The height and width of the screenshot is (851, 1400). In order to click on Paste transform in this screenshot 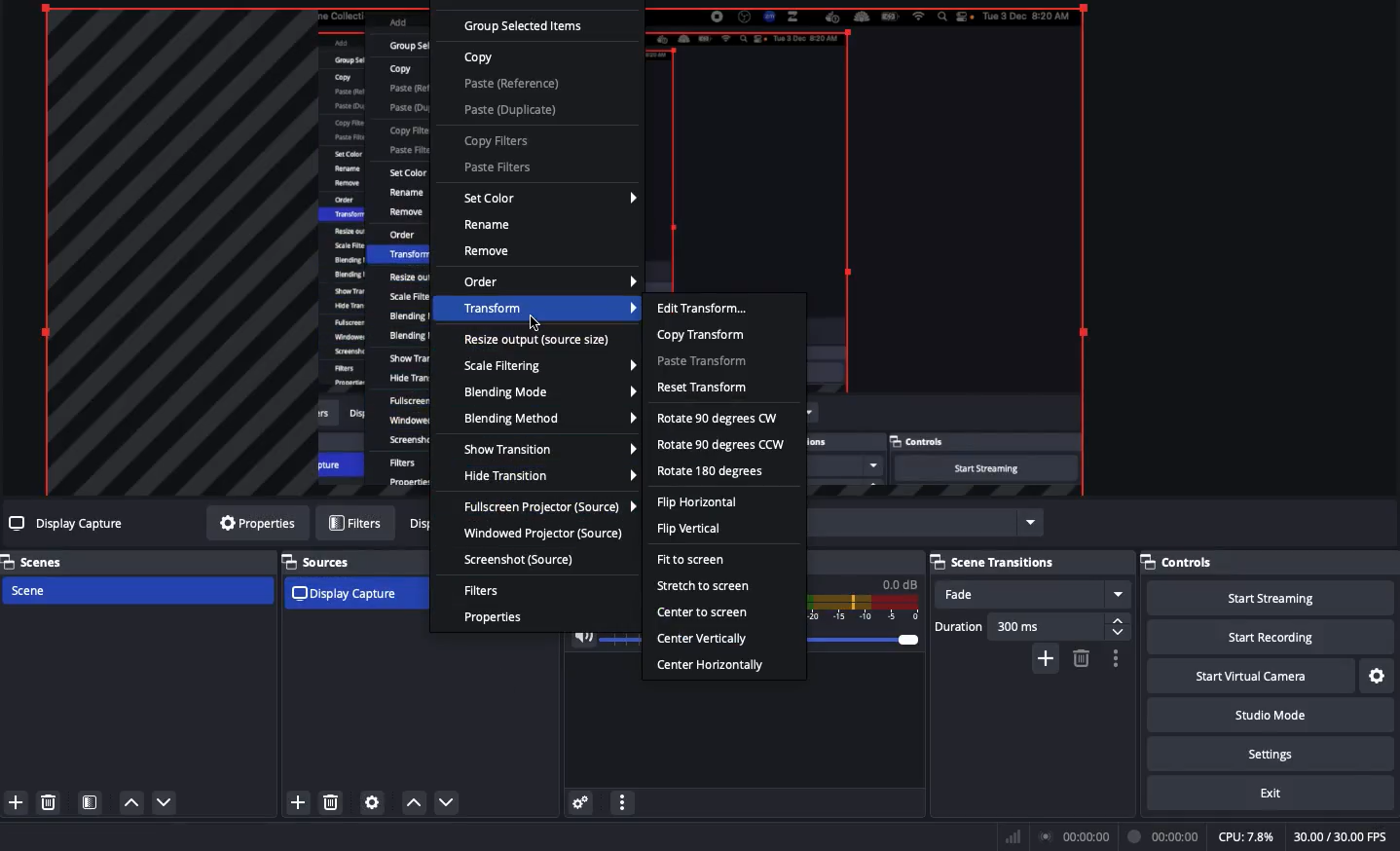, I will do `click(704, 363)`.